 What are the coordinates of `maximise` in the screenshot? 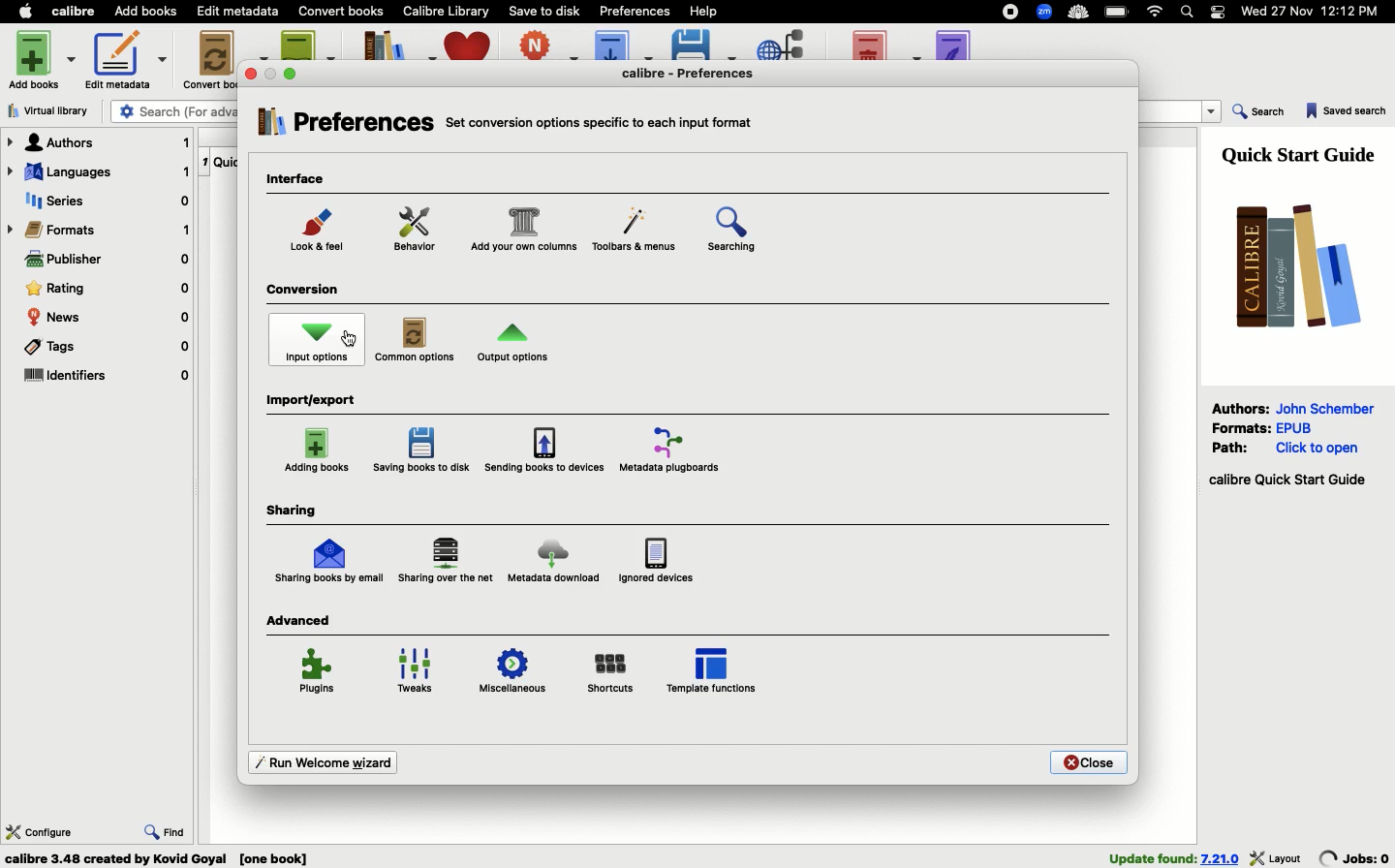 It's located at (293, 73).